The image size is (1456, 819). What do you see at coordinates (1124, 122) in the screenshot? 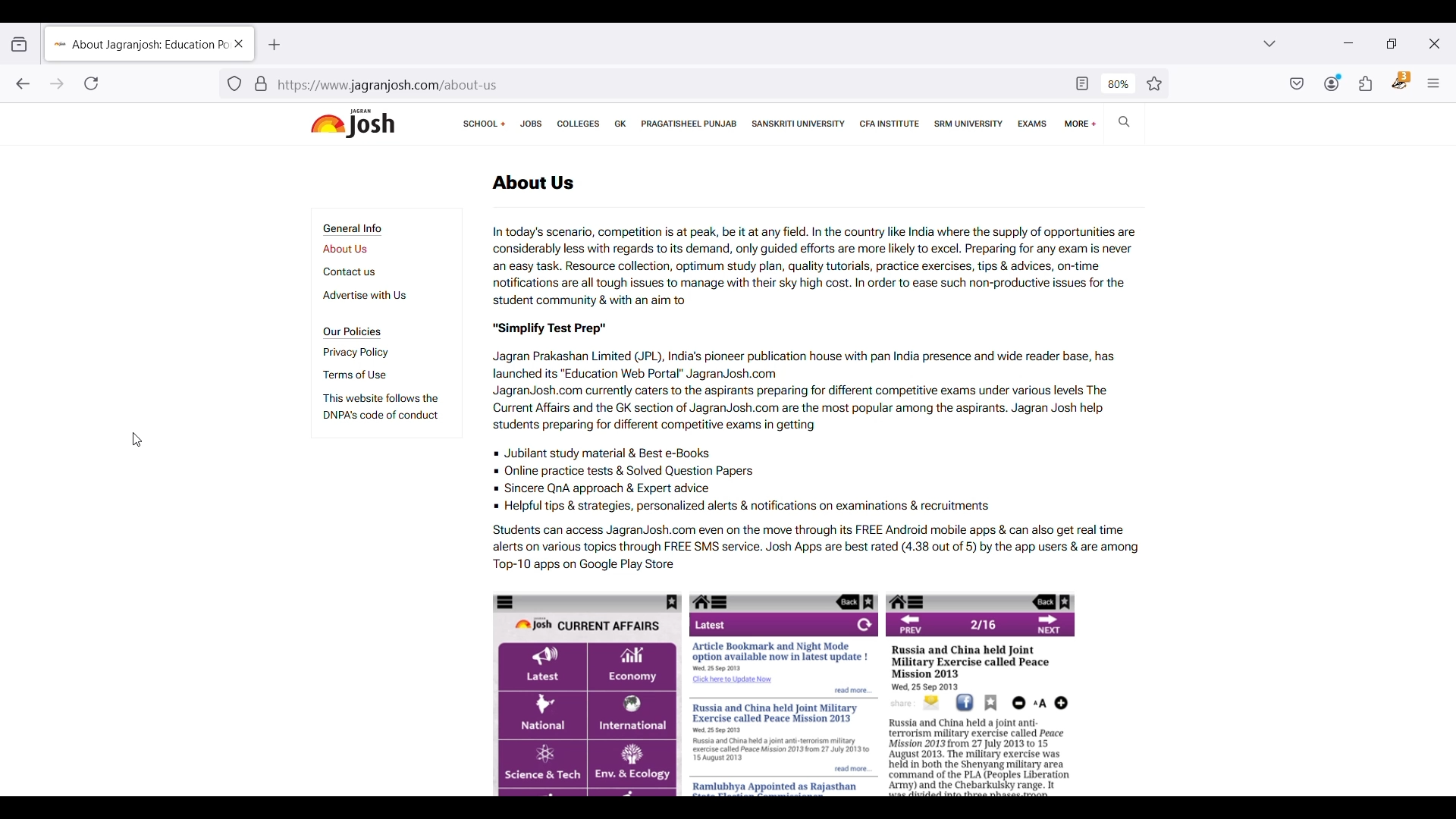
I see `Search on Jagran Josh` at bounding box center [1124, 122].